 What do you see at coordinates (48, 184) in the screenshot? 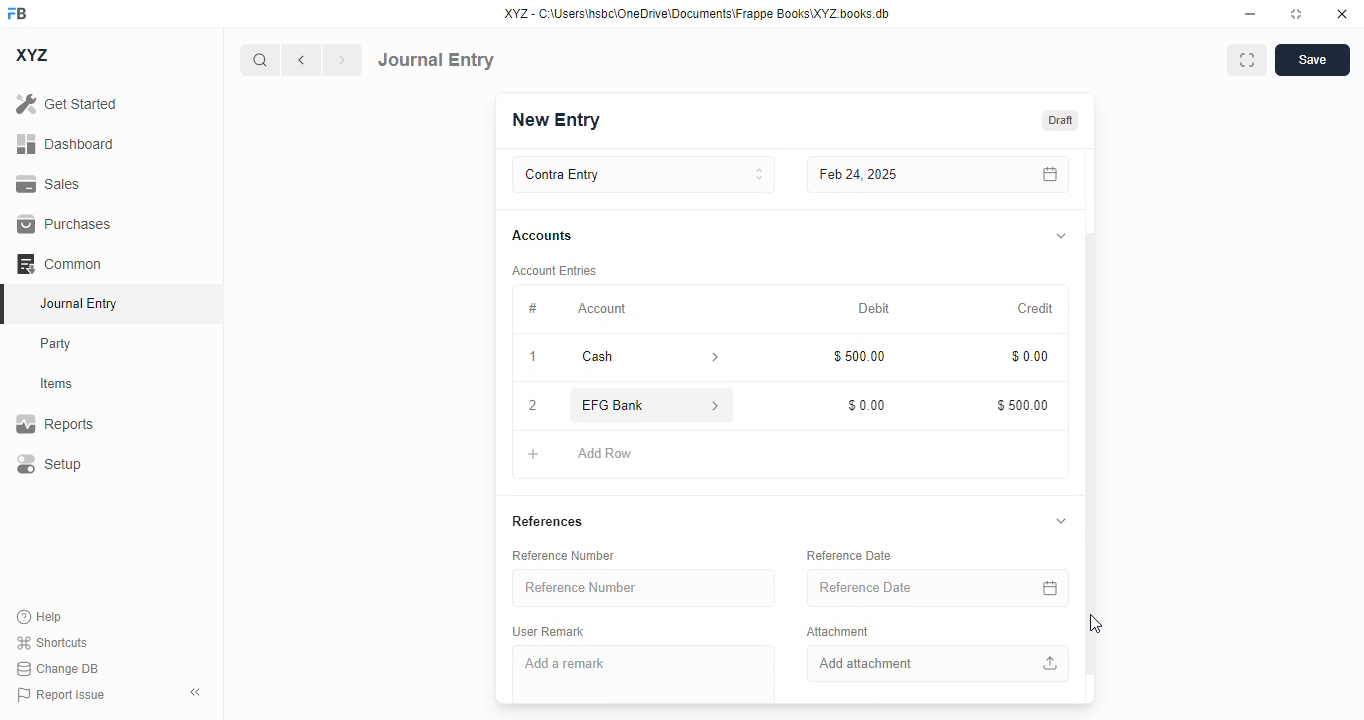
I see `sales` at bounding box center [48, 184].